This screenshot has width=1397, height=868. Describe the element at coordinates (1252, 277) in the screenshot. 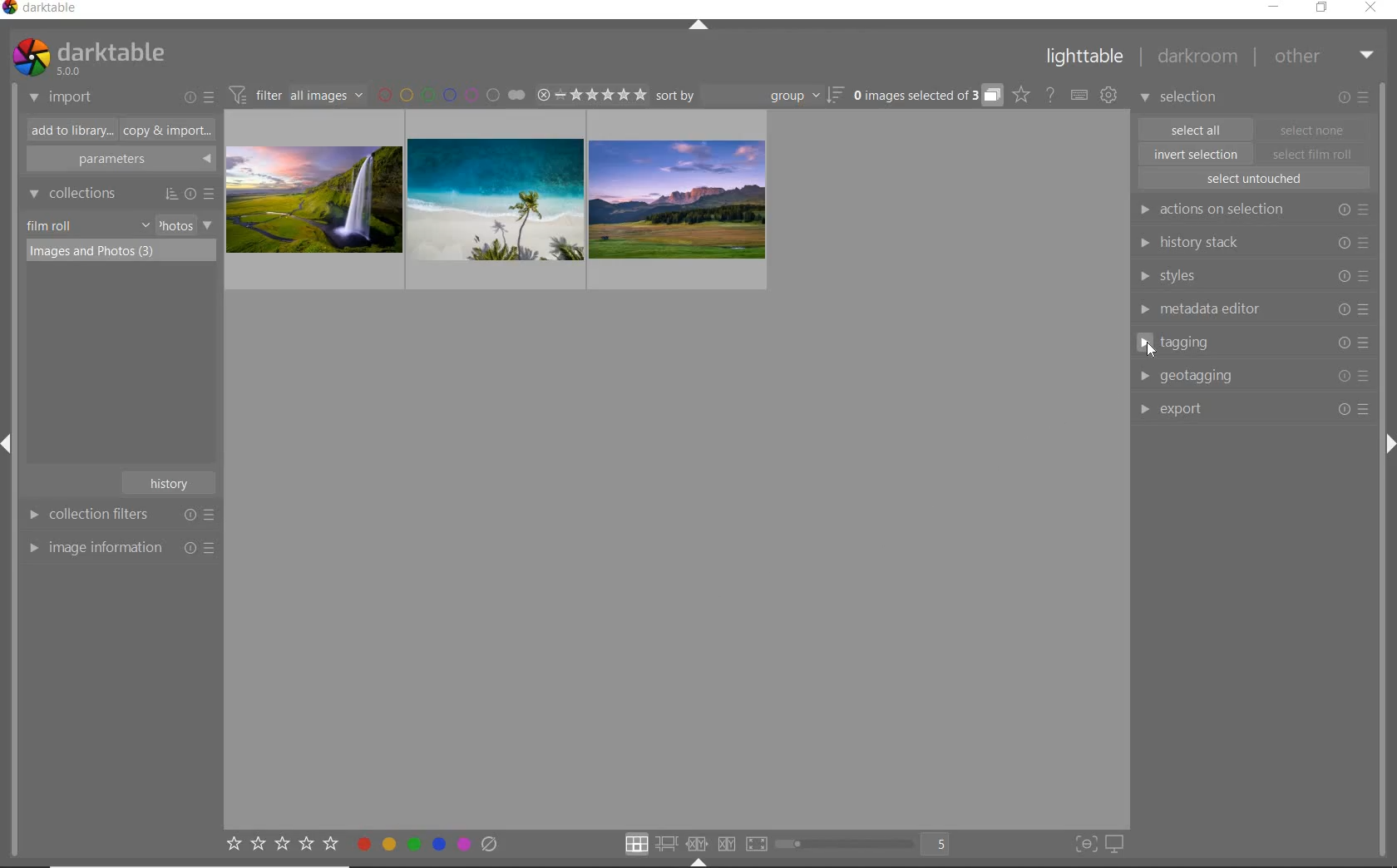

I see `styles` at that location.